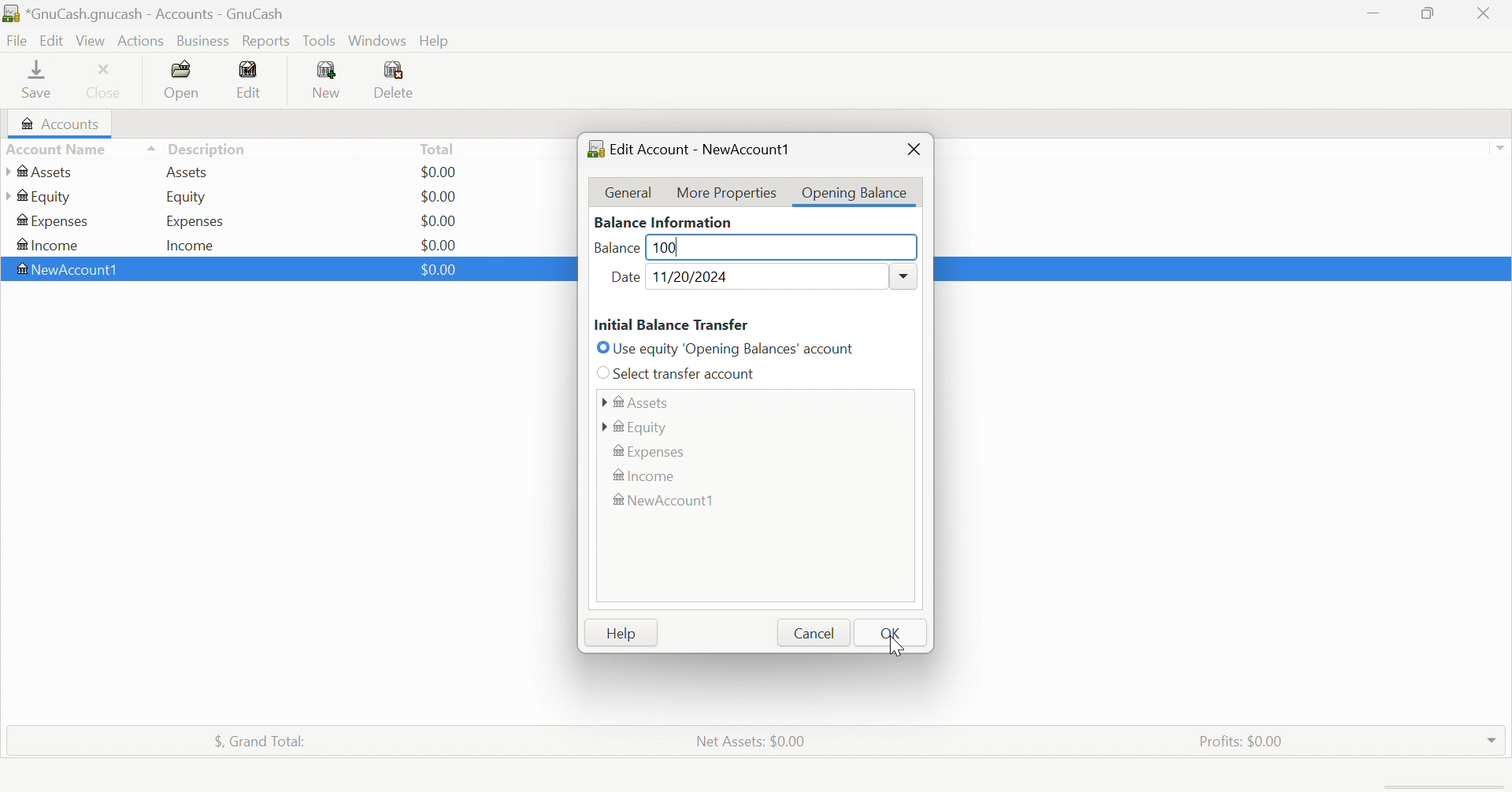 This screenshot has width=1512, height=792. Describe the element at coordinates (653, 450) in the screenshot. I see `Expenses` at that location.